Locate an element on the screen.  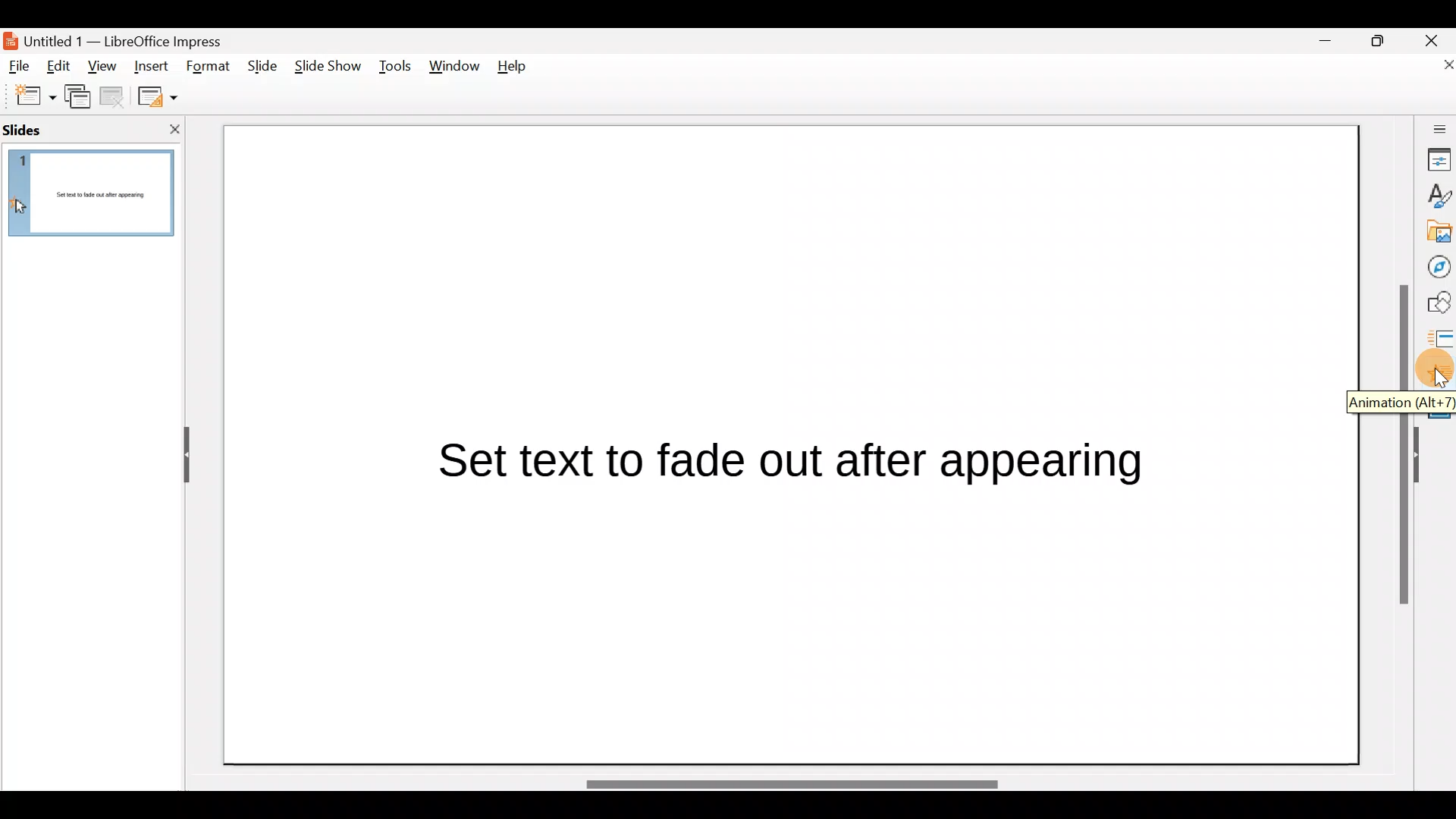
Shapes is located at coordinates (1437, 303).